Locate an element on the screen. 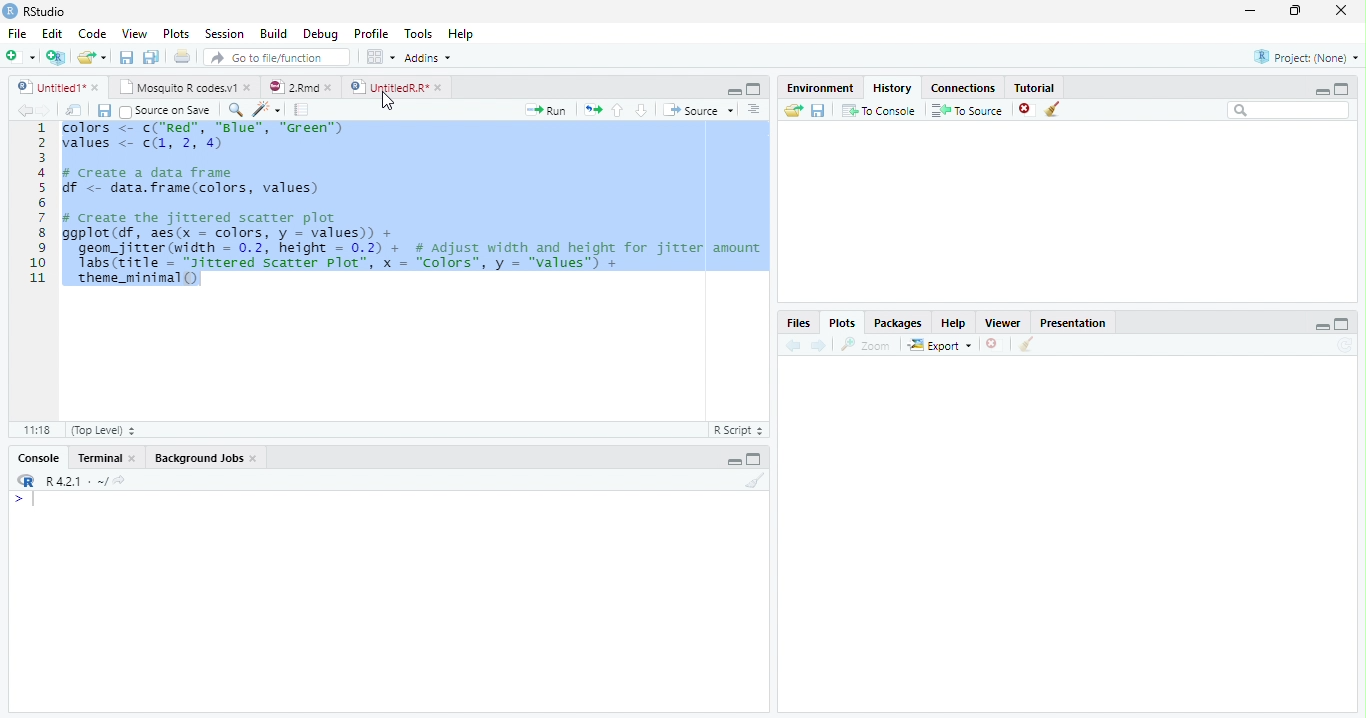 Image resolution: width=1366 pixels, height=718 pixels. Compile Report is located at coordinates (302, 111).